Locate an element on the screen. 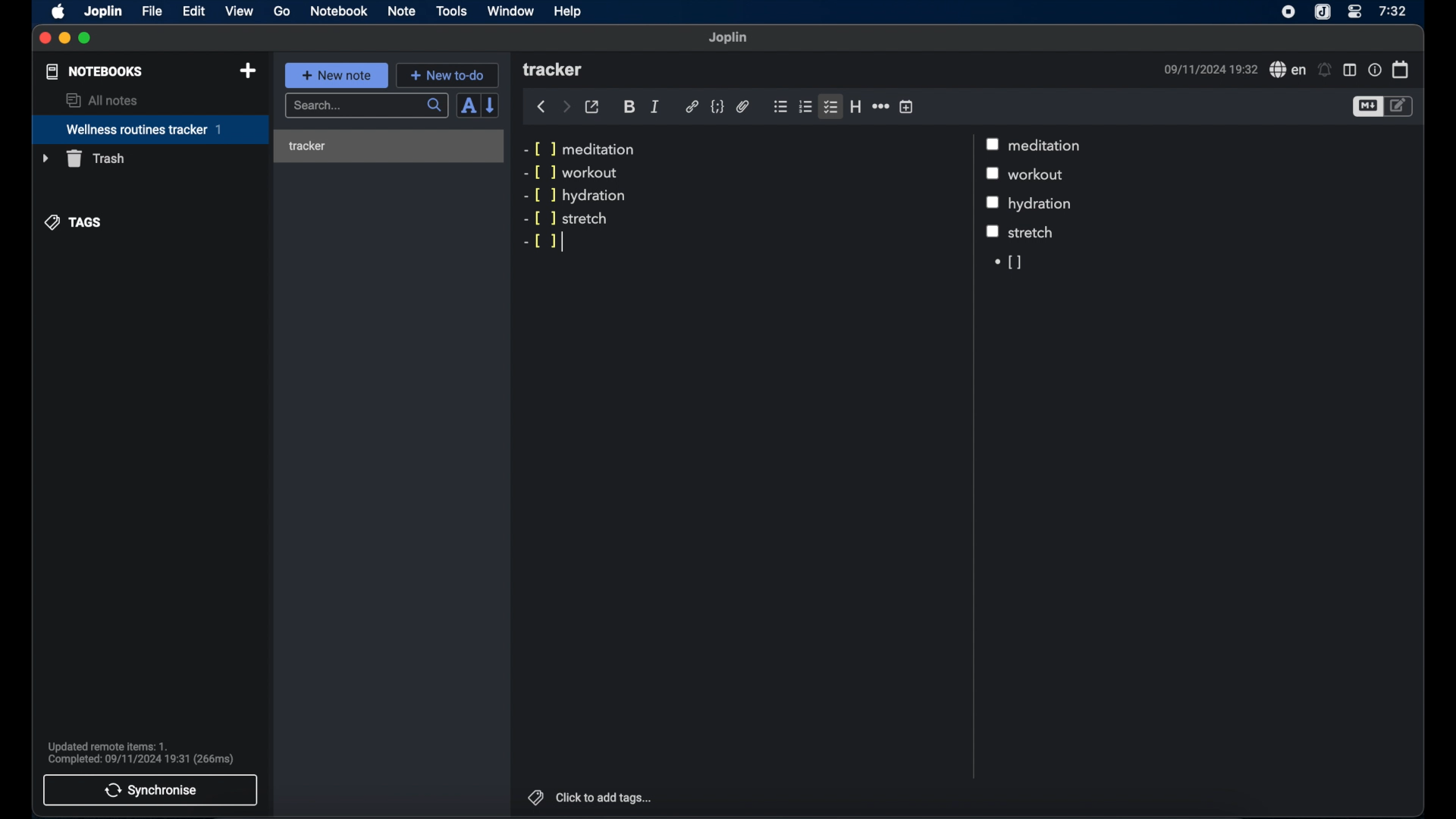 This screenshot has height=819, width=1456. stretch is located at coordinates (1032, 231).